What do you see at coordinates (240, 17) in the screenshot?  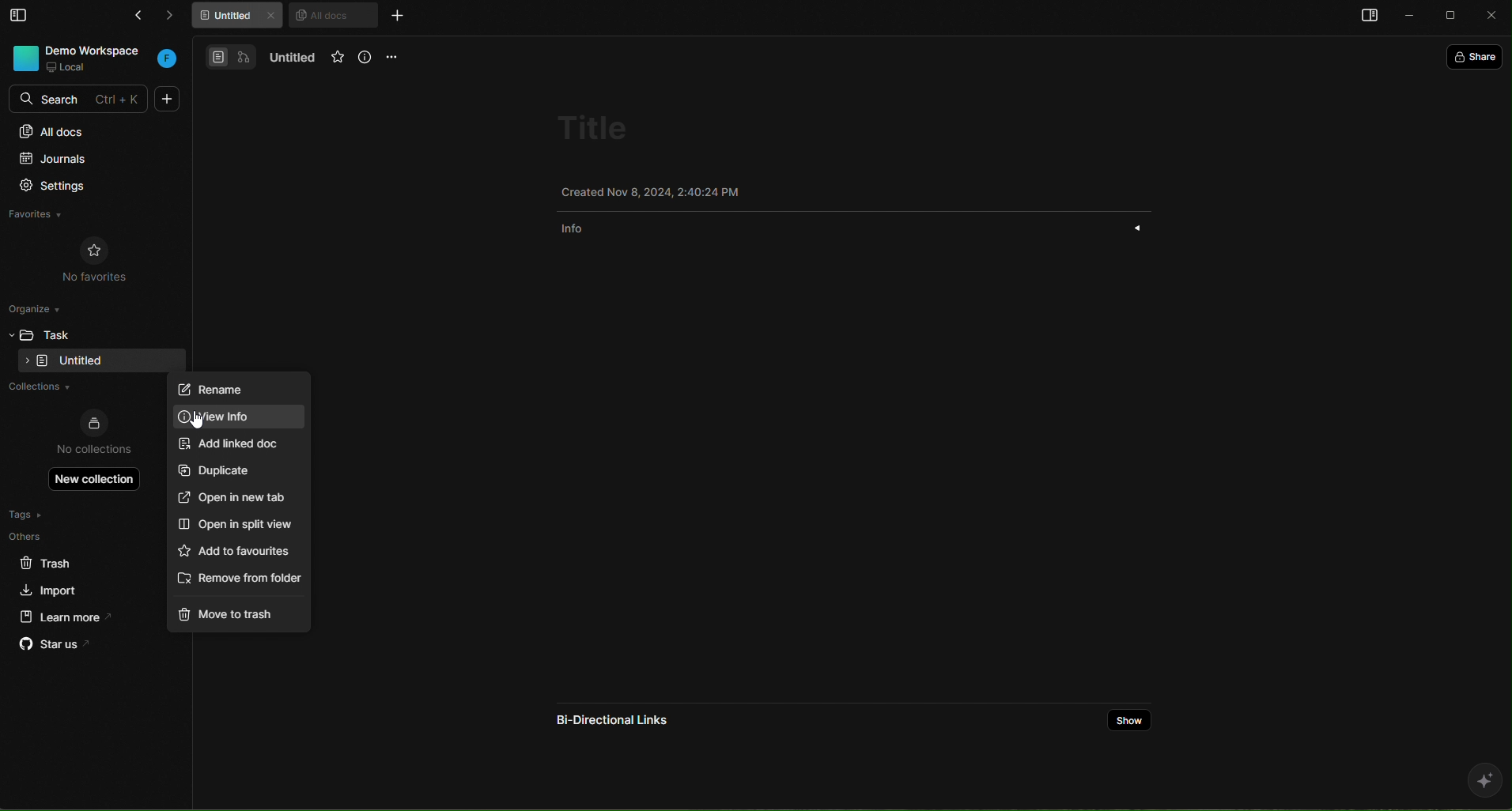 I see `untitled` at bounding box center [240, 17].